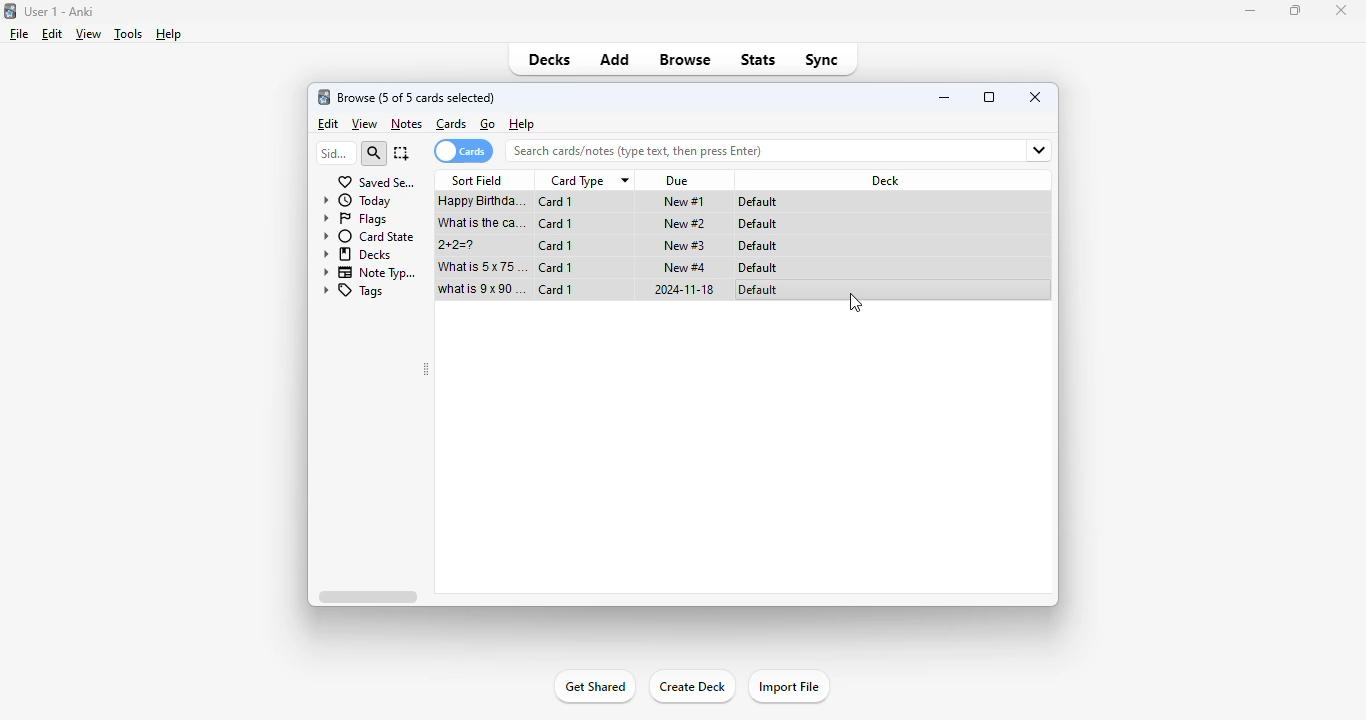  What do you see at coordinates (556, 224) in the screenshot?
I see `card 1` at bounding box center [556, 224].